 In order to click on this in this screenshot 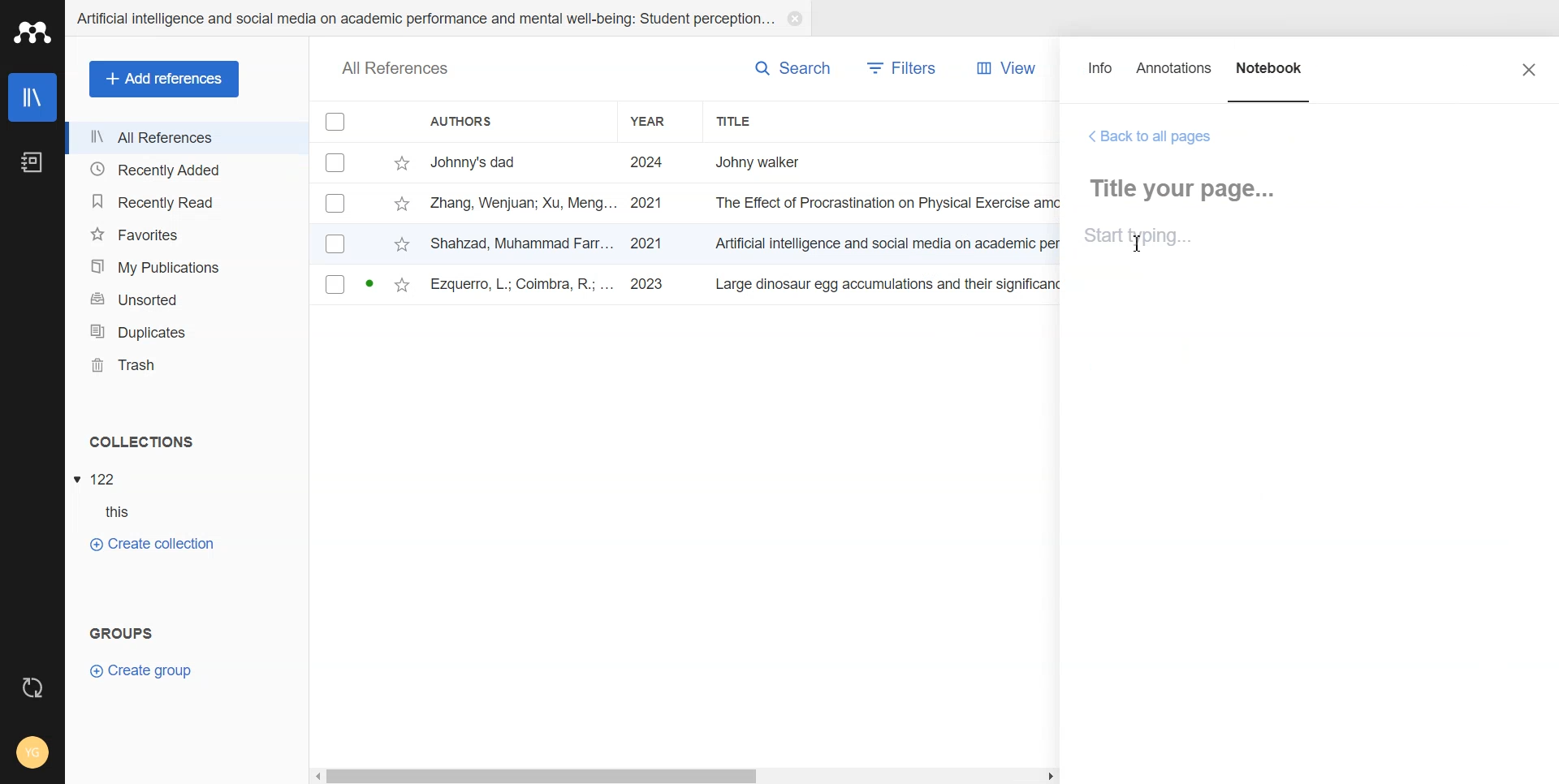, I will do `click(127, 512)`.